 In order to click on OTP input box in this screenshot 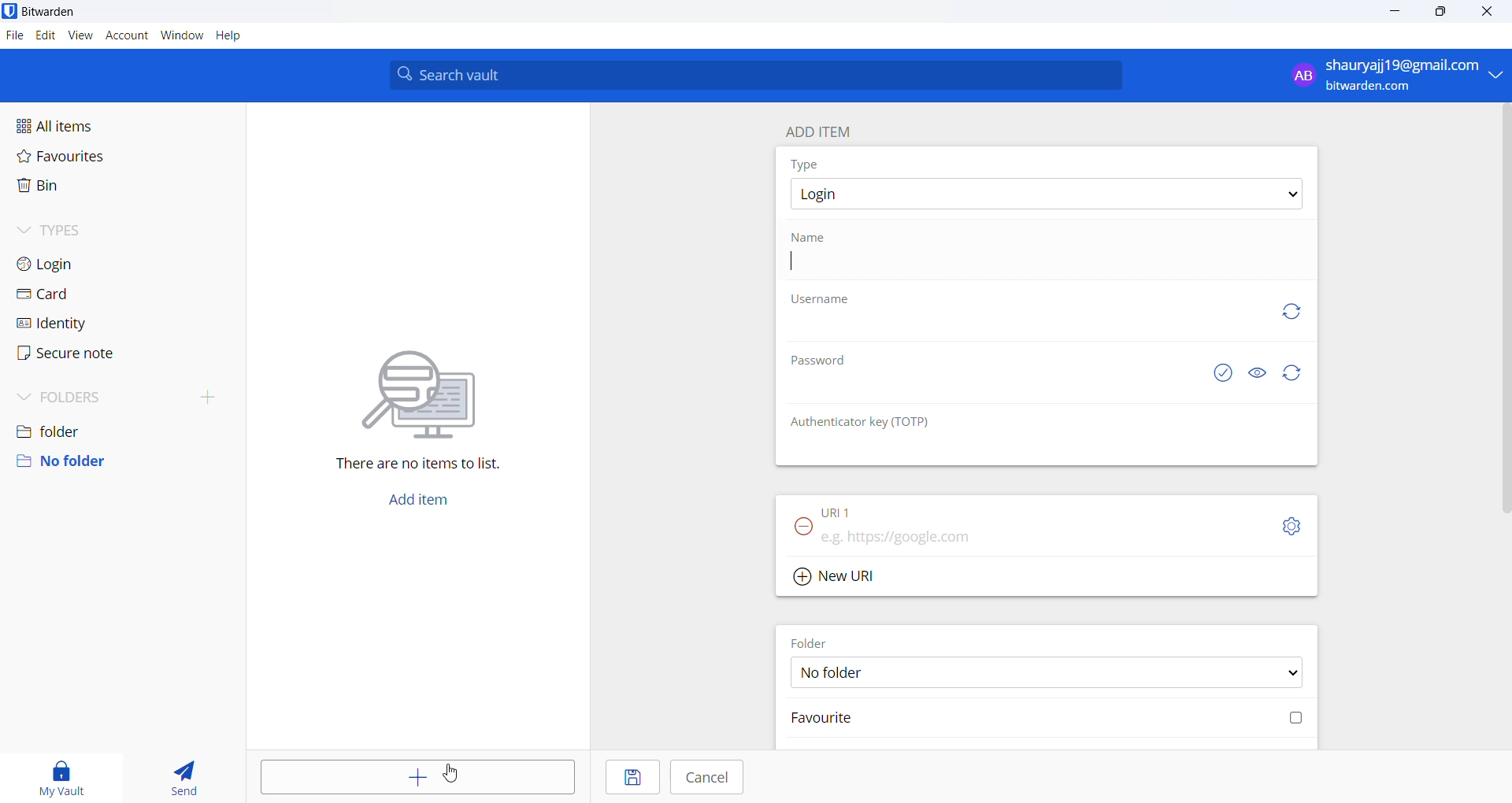, I will do `click(1026, 451)`.